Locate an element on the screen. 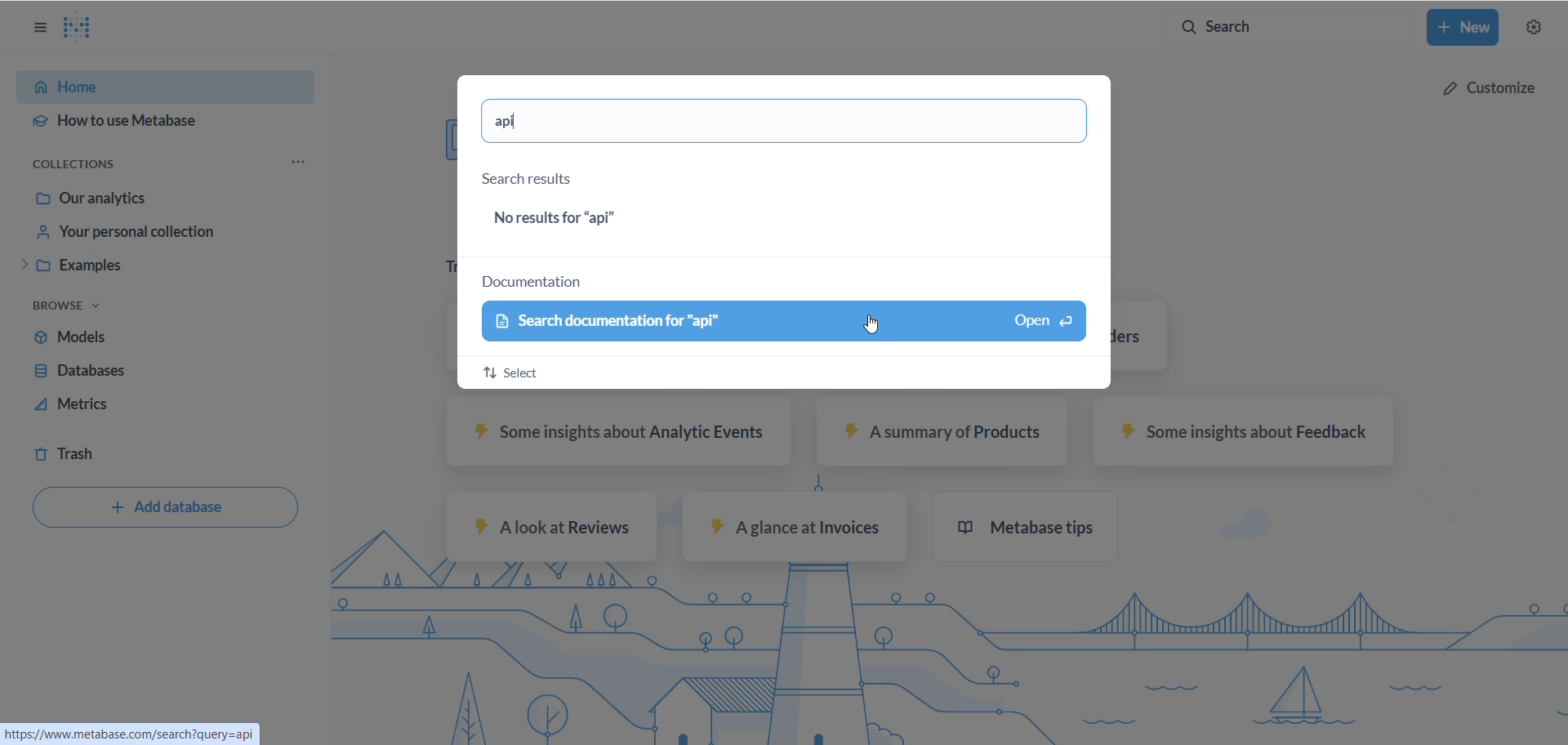 Image resolution: width=1568 pixels, height=745 pixels. HOME is located at coordinates (159, 87).